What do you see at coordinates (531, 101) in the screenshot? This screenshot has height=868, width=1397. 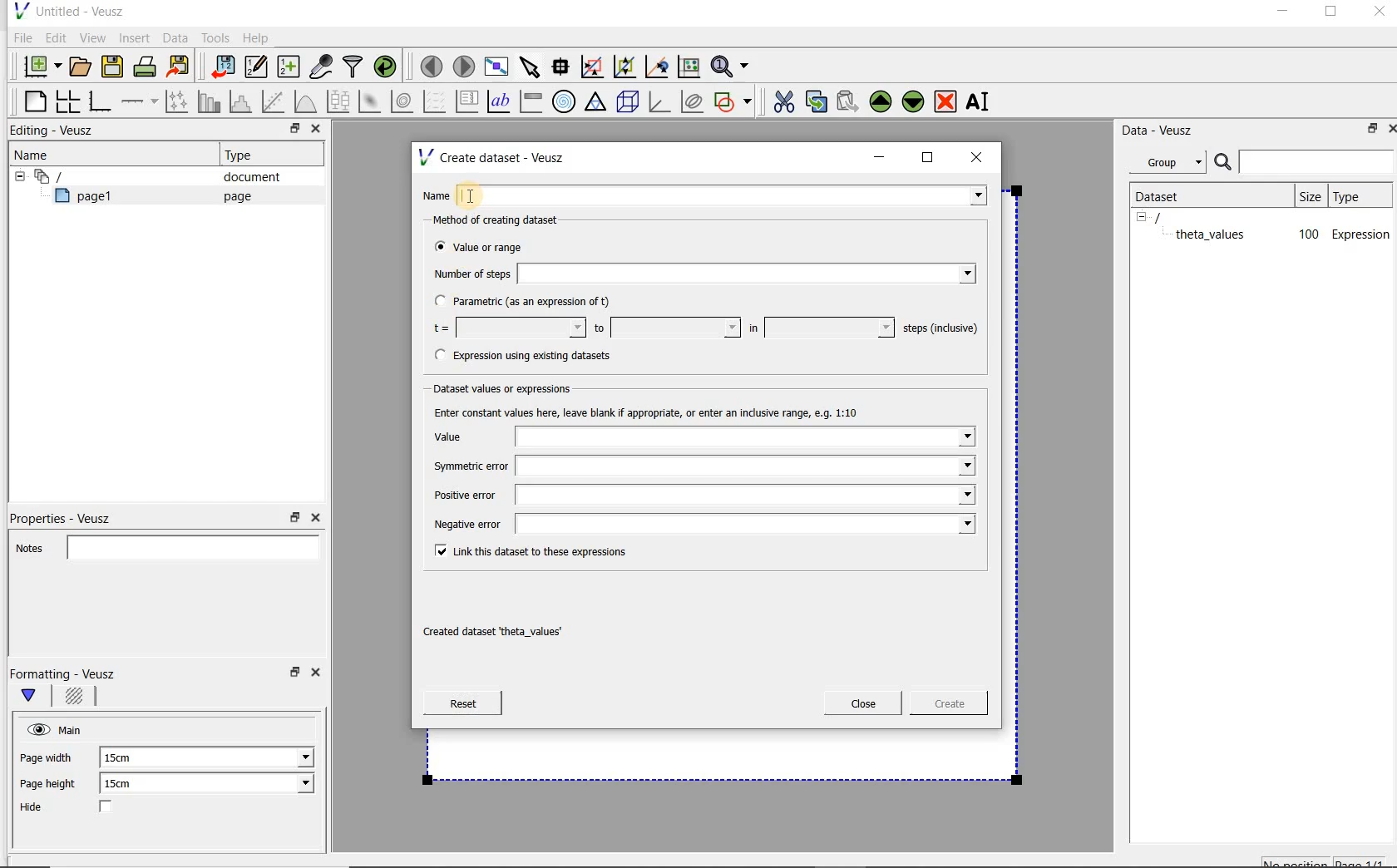 I see `image color bar` at bounding box center [531, 101].